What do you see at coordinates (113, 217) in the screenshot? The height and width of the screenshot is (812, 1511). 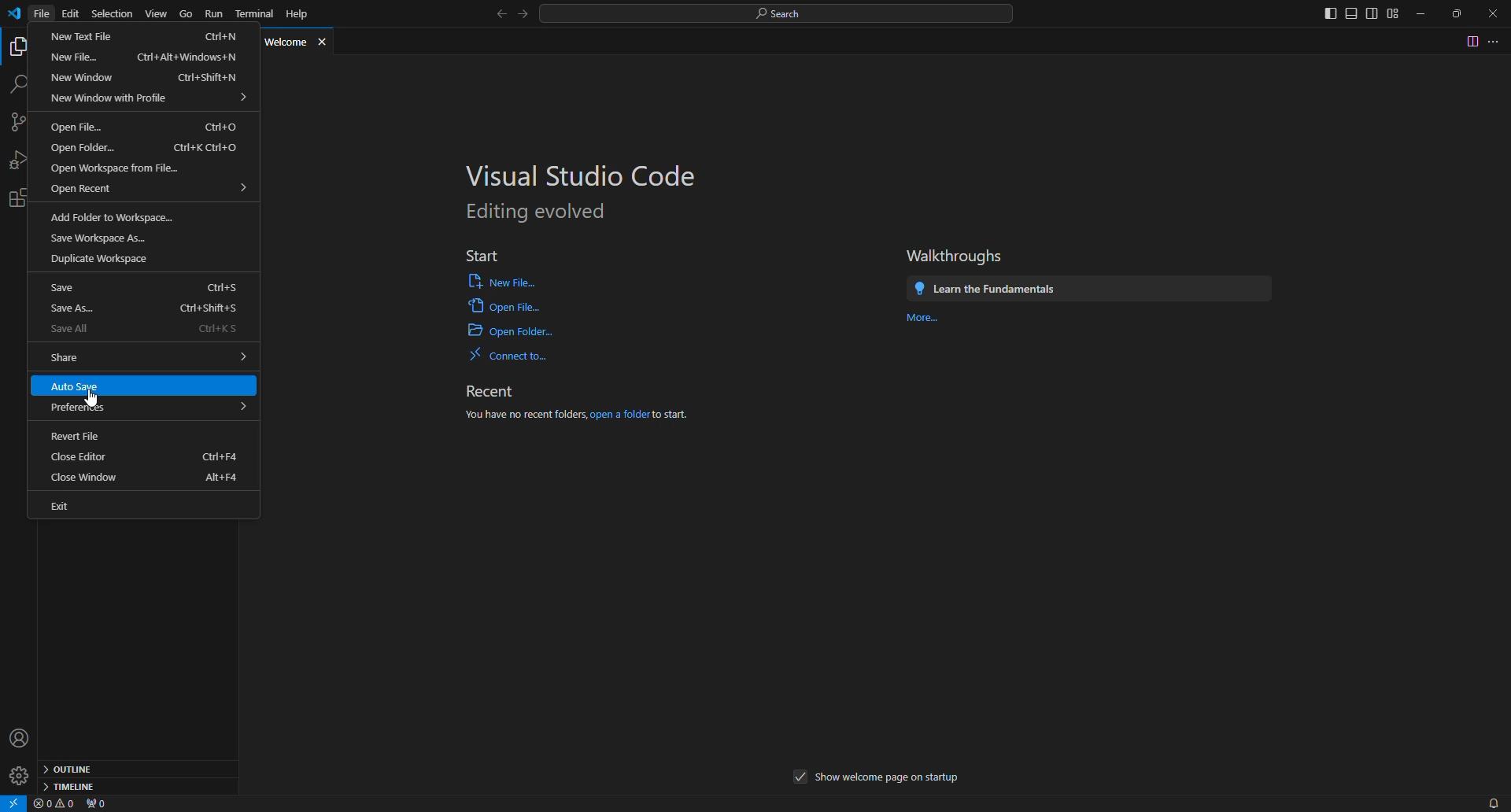 I see `add folder to workspace` at bounding box center [113, 217].